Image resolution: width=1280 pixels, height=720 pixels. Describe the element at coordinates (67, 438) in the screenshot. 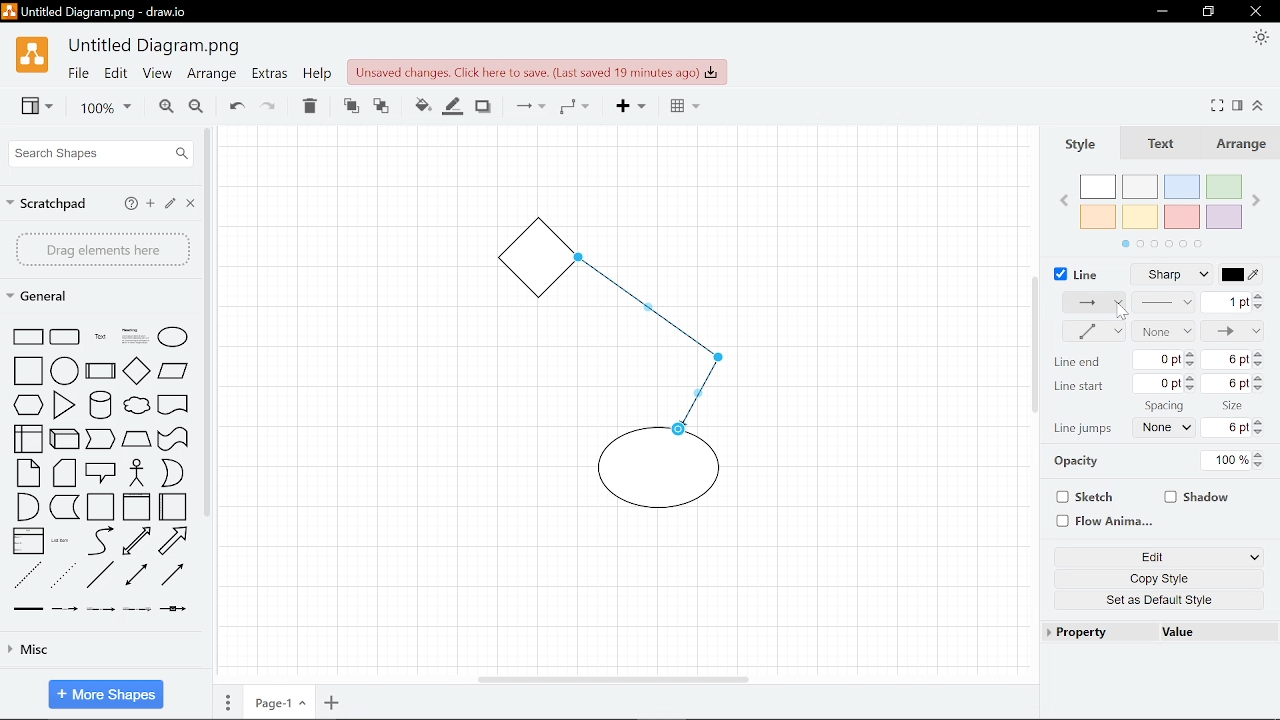

I see `shape` at that location.